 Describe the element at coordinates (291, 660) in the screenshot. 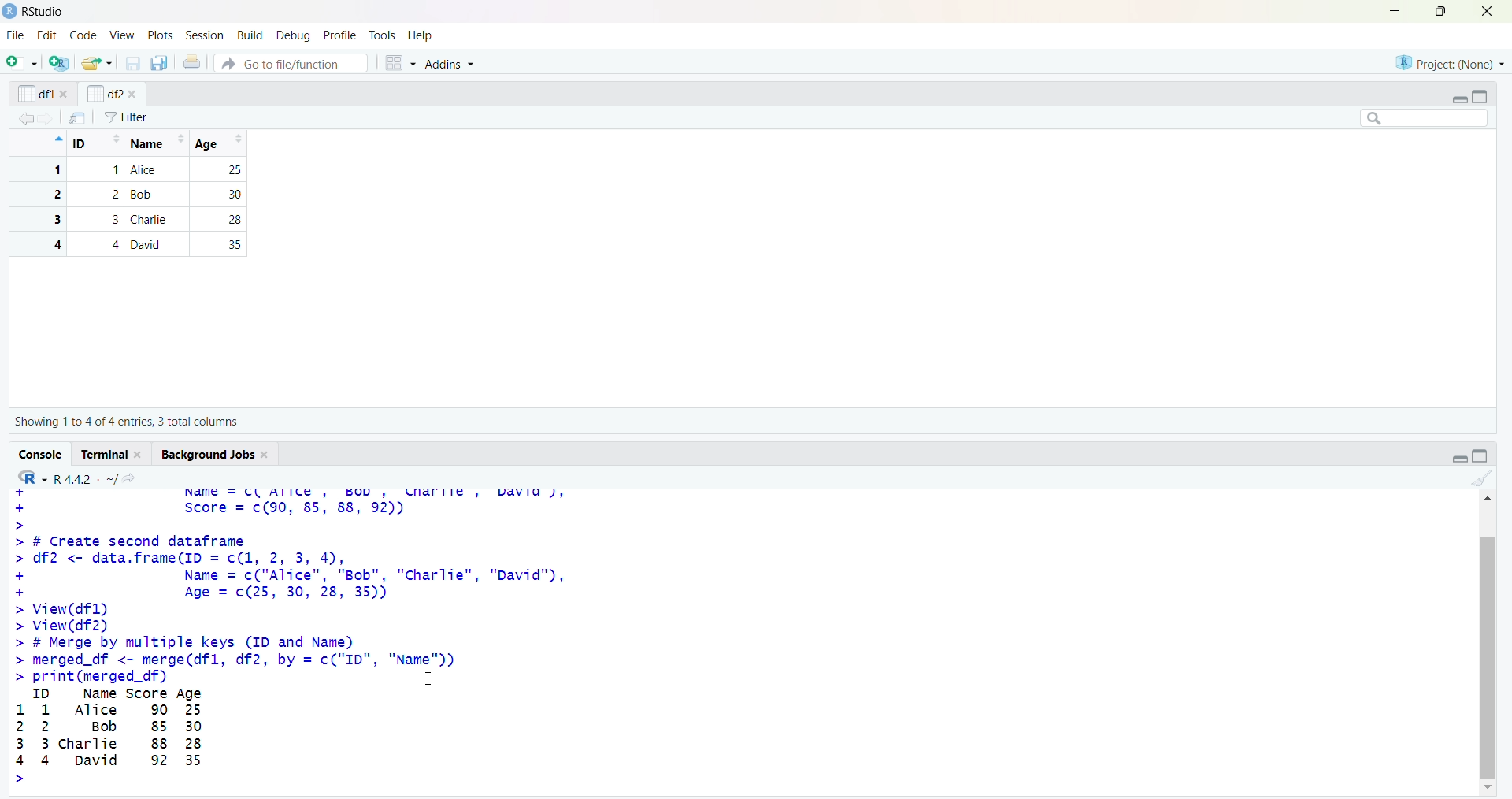

I see `> # Create second dataframe

> df2 <- data.frame(ID = c(1, 2, 3, 4),

+ Name = c("Alice", "Bob", "Charlie", "David"),

+ Age = c(25, 30, 28, 35))

> View(dfl)

> View(df2)

> # Merge by multiple keys (ID and Name)

> merged_df <- merge(dfl, df2, by = c("ID", "Name"))

> print(merged_df) 1
ID Name Score Age

1 1 Alice 90 25

2 2 Bob 85 30

3 3 charlie 88 28

4 4 David 92 35

>` at that location.